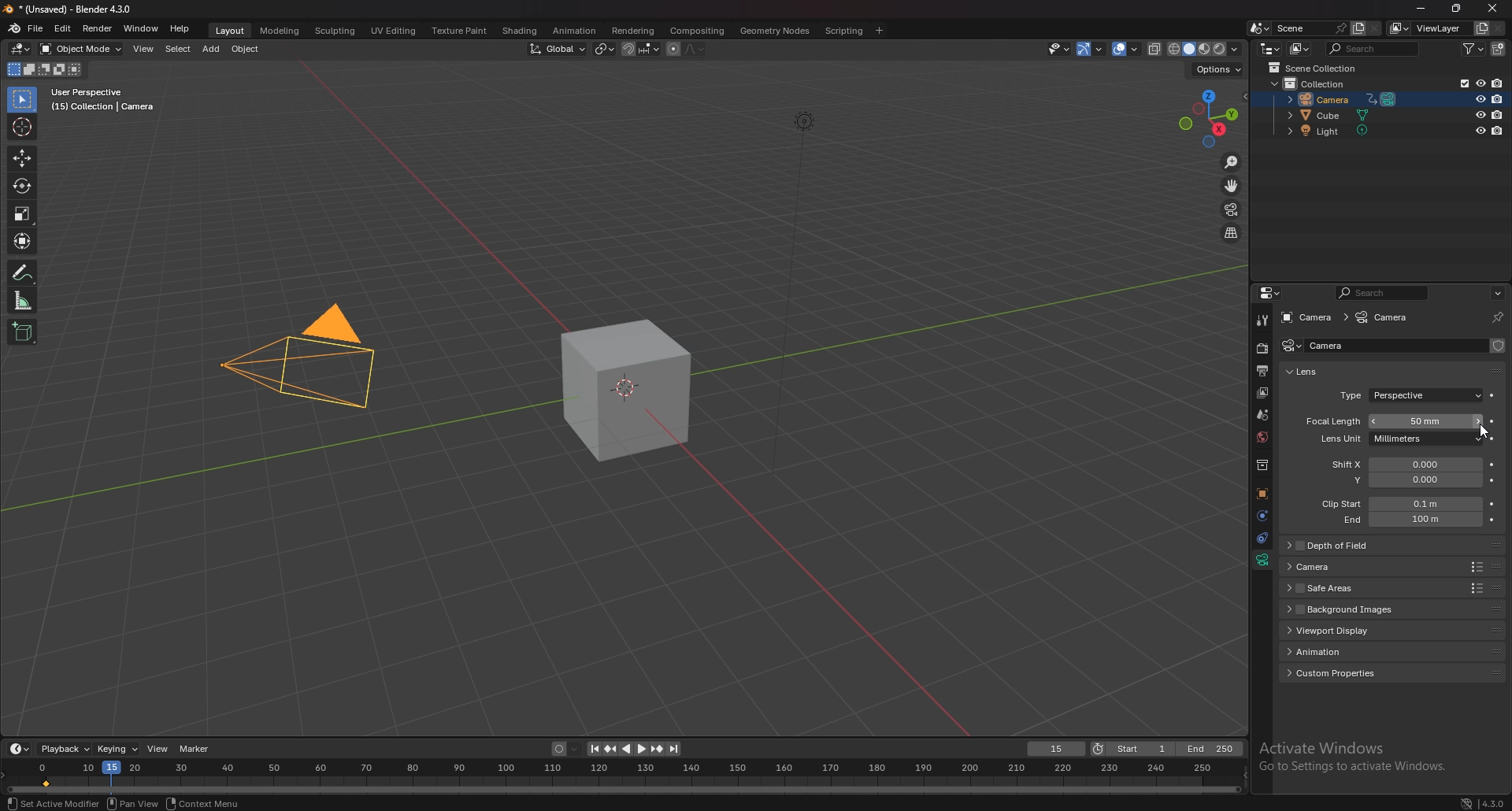  Describe the element at coordinates (1262, 466) in the screenshot. I see `collections` at that location.